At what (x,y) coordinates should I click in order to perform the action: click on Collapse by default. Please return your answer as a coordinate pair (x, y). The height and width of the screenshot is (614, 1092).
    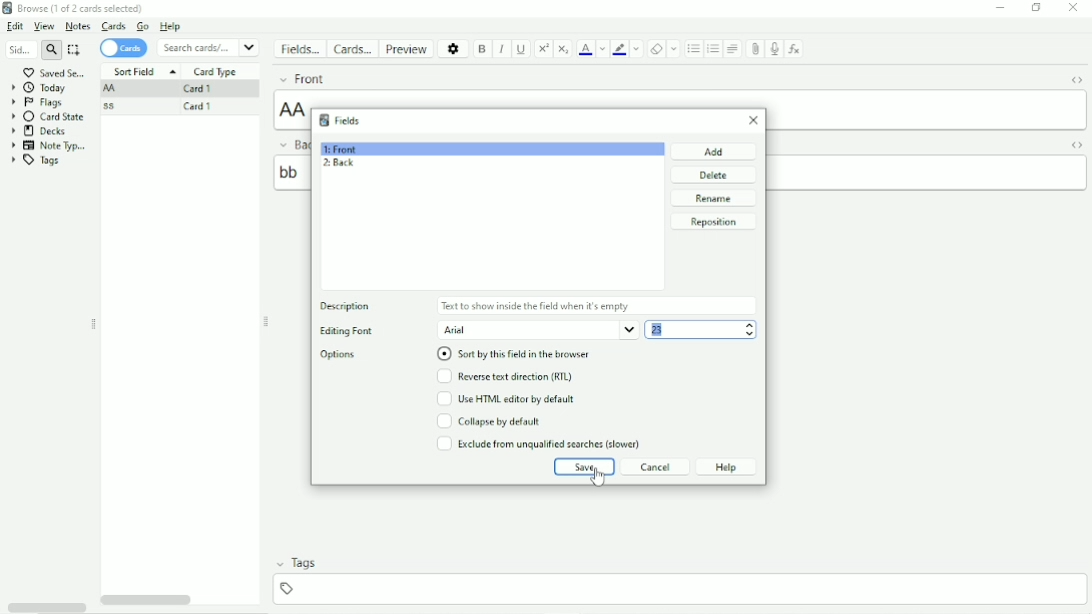
    Looking at the image, I should click on (489, 421).